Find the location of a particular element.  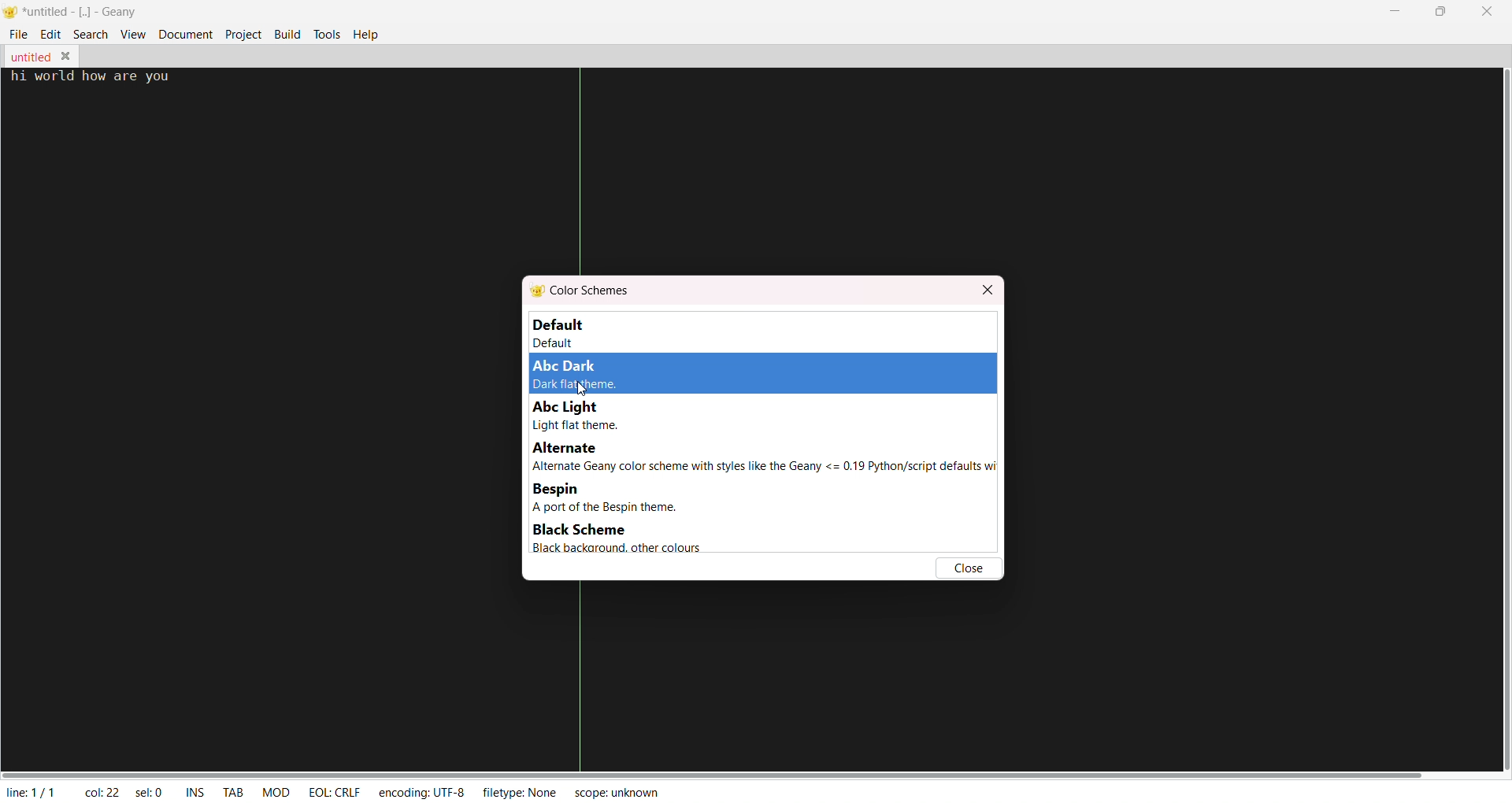

file is located at coordinates (15, 35).